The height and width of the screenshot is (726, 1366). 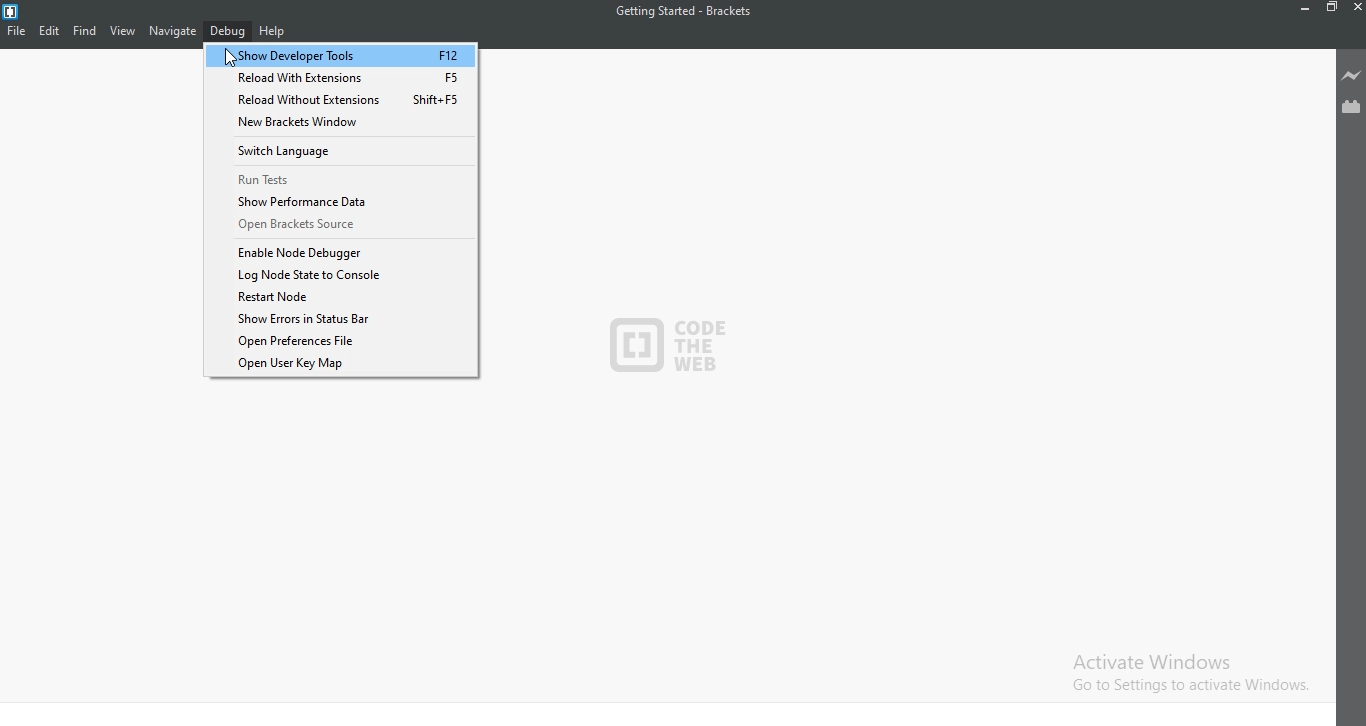 I want to click on Close, so click(x=1357, y=8).